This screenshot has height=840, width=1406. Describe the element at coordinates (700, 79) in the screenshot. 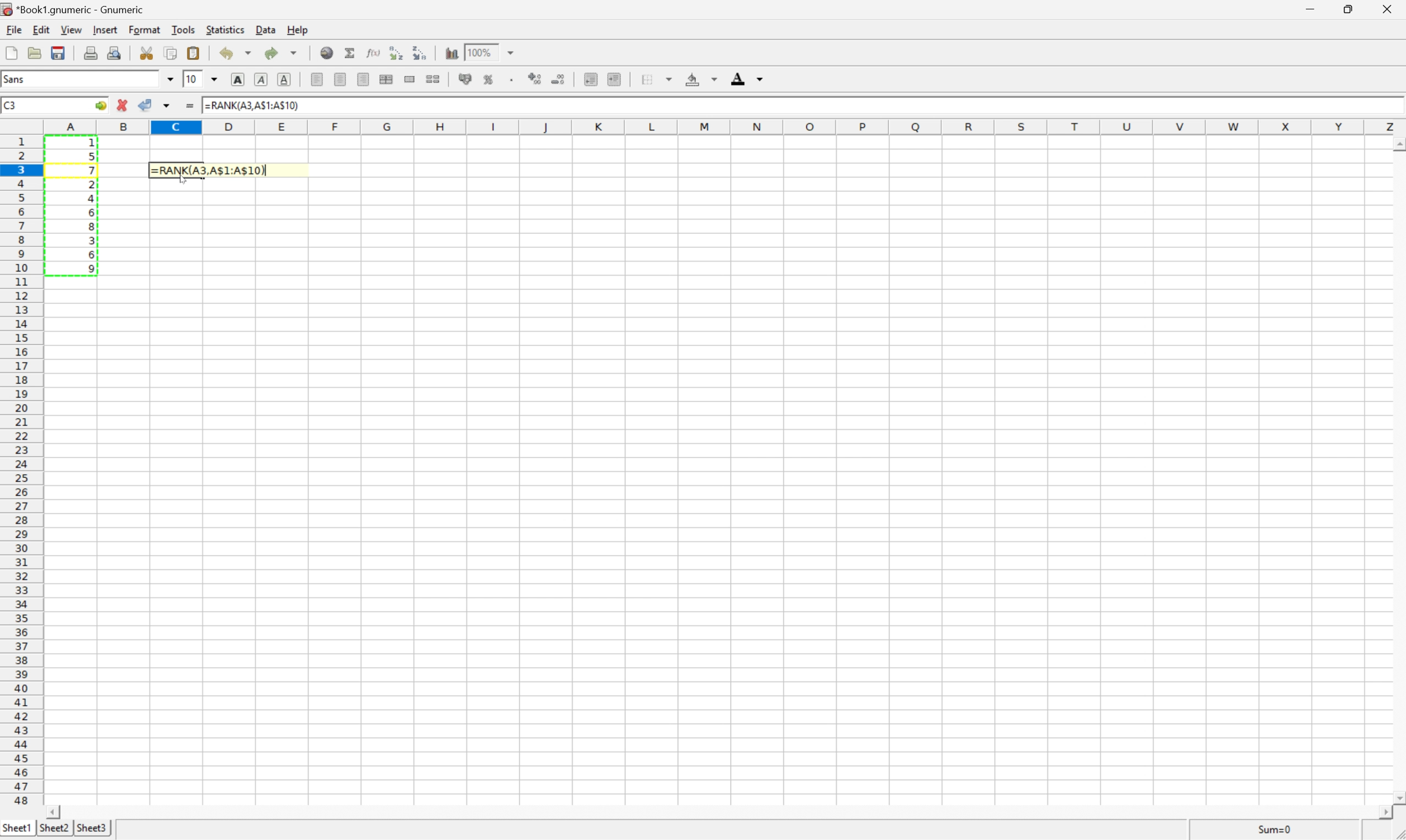

I see `background` at that location.